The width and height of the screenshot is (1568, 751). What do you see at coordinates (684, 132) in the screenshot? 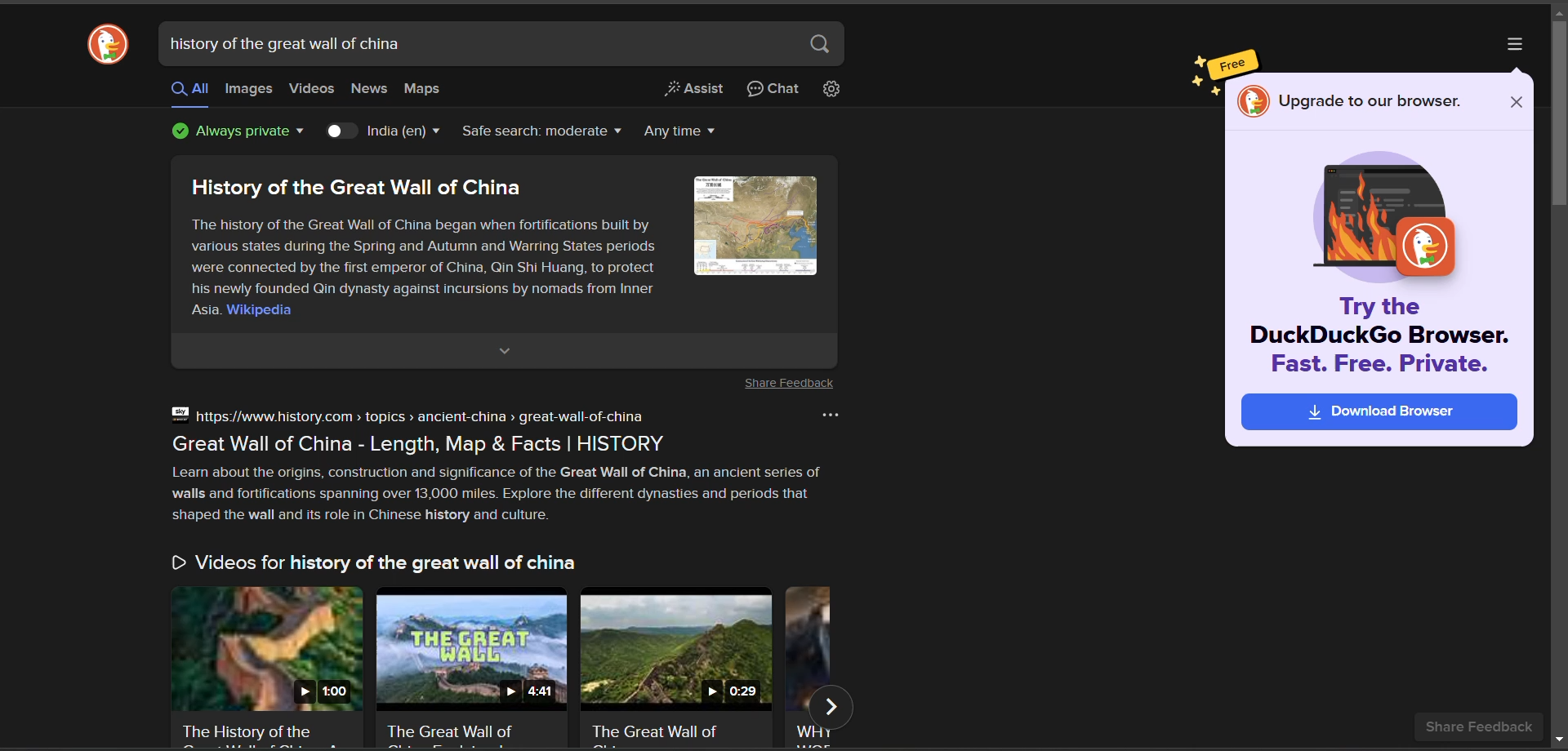
I see `result timeline filter` at bounding box center [684, 132].